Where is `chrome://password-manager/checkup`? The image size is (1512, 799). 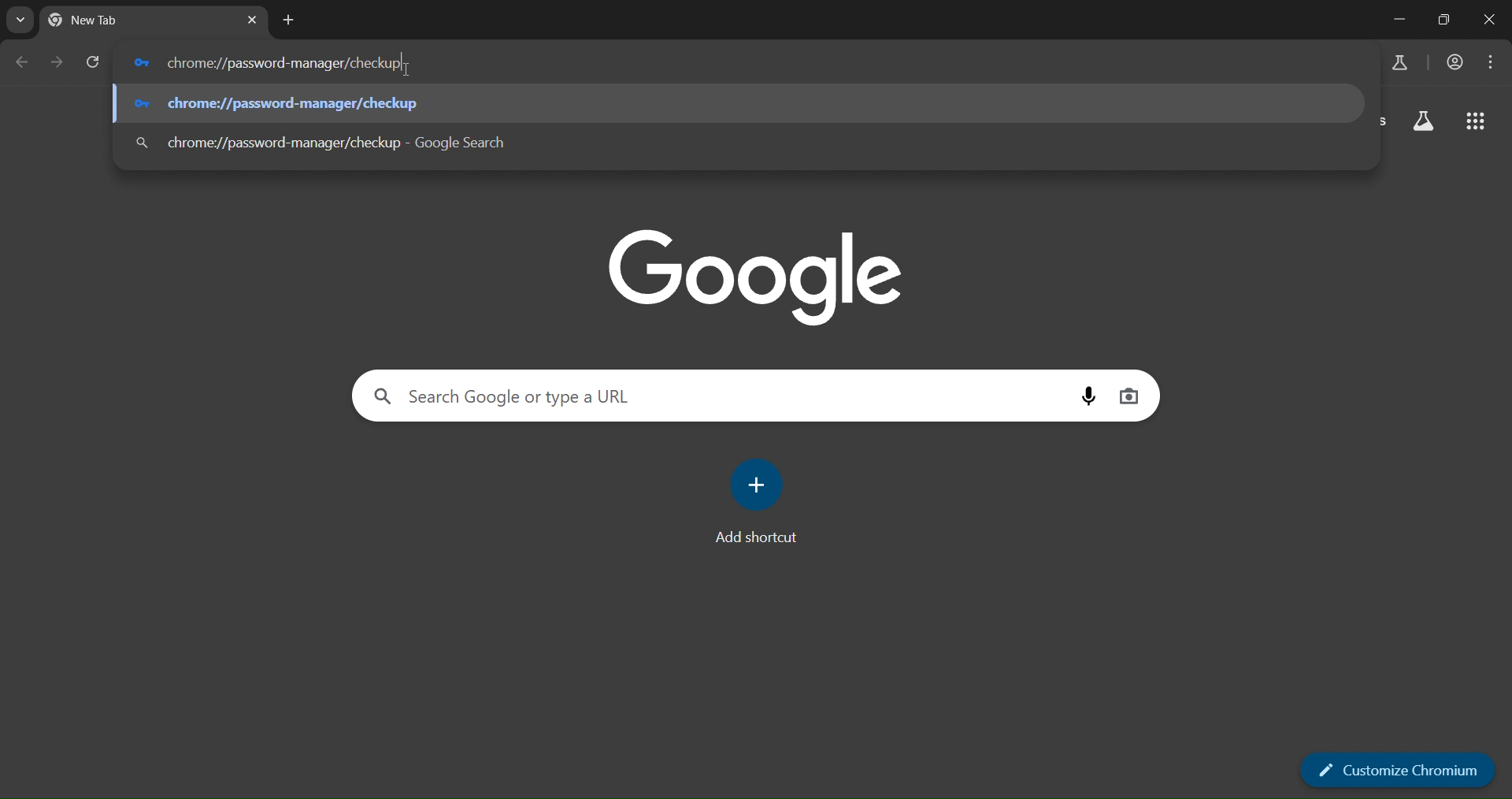 chrome://password-manager/checkup is located at coordinates (276, 103).